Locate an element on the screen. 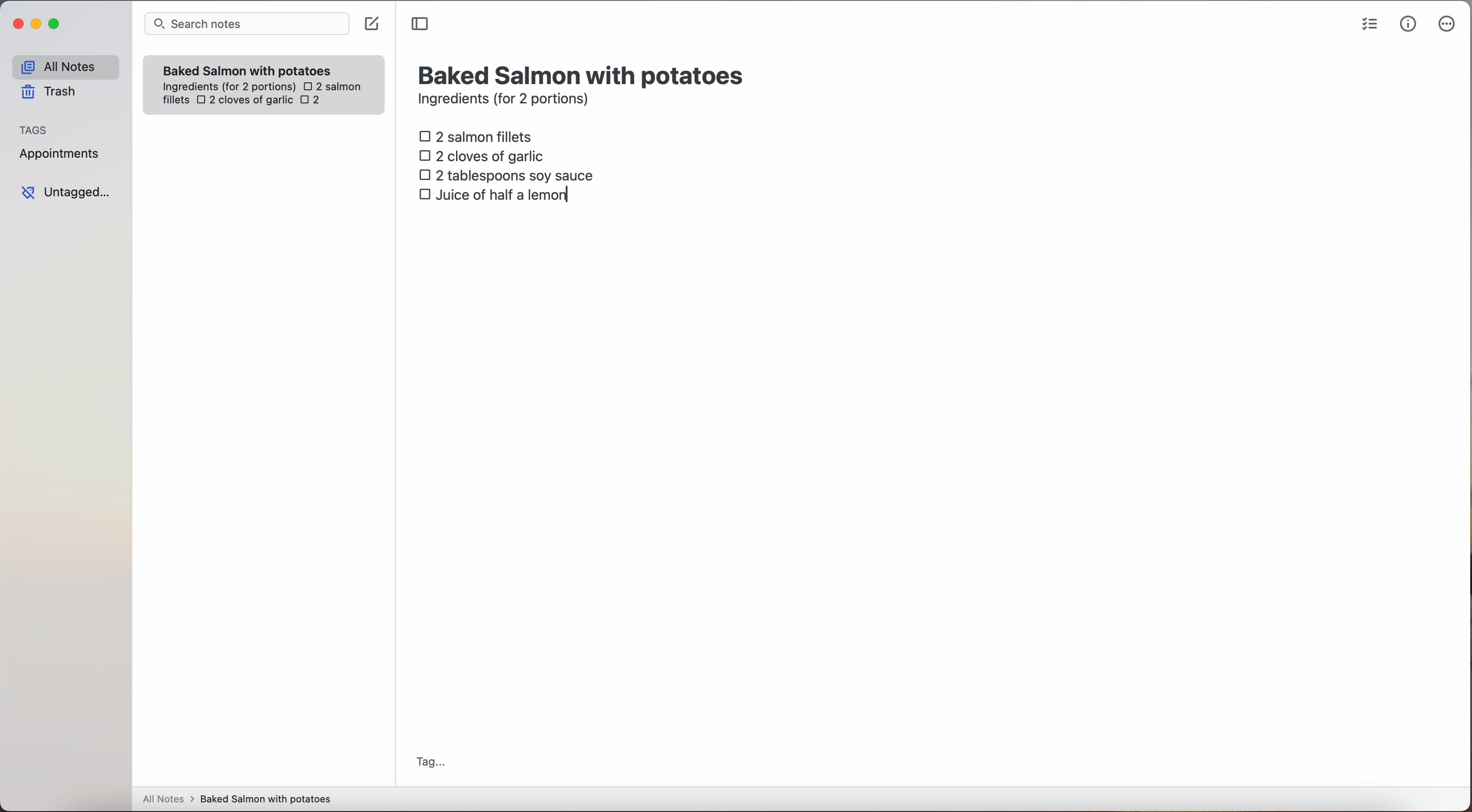 The image size is (1472, 812). all notes is located at coordinates (65, 66).